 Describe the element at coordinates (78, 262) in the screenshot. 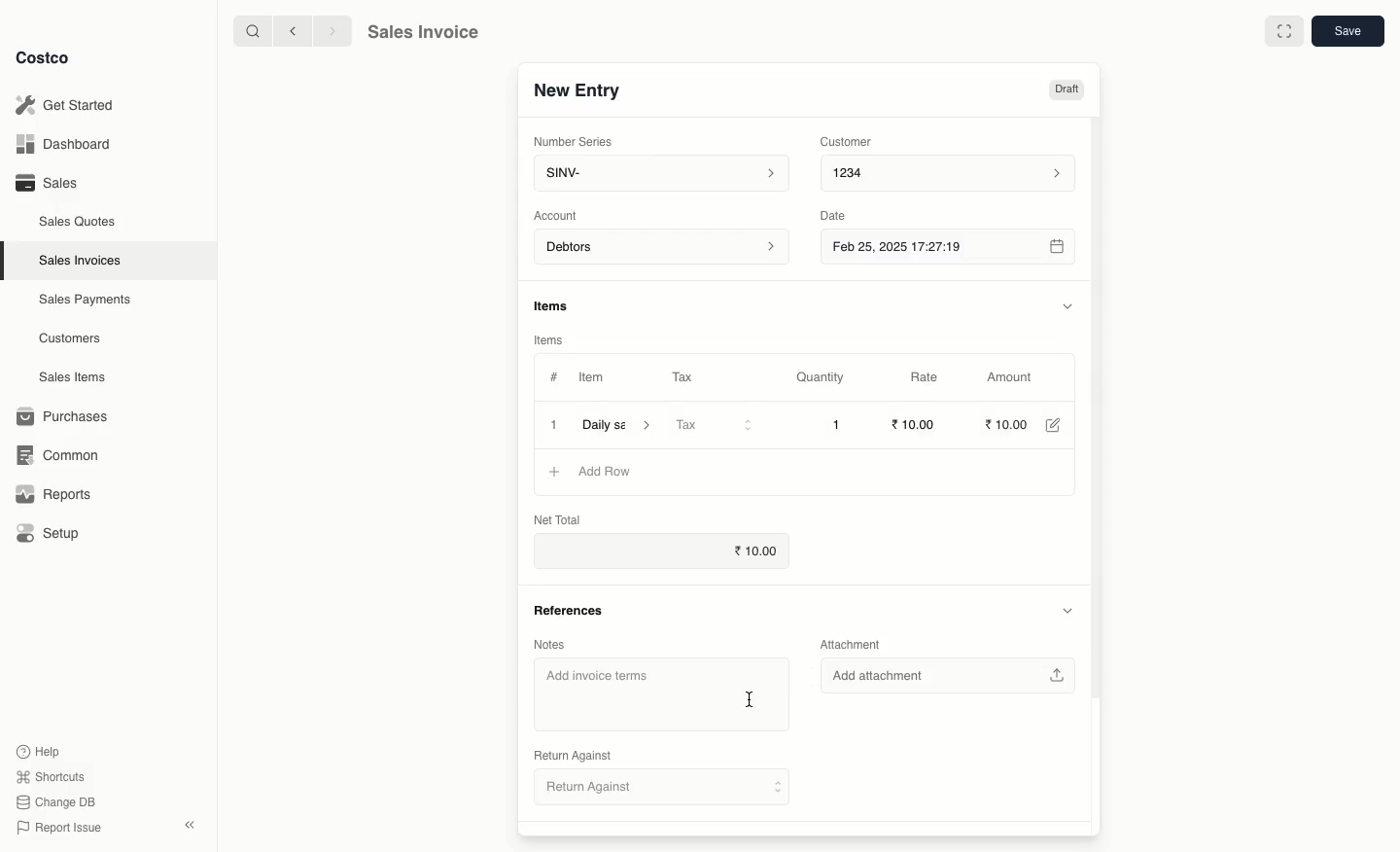

I see `Sales Invoices.` at that location.